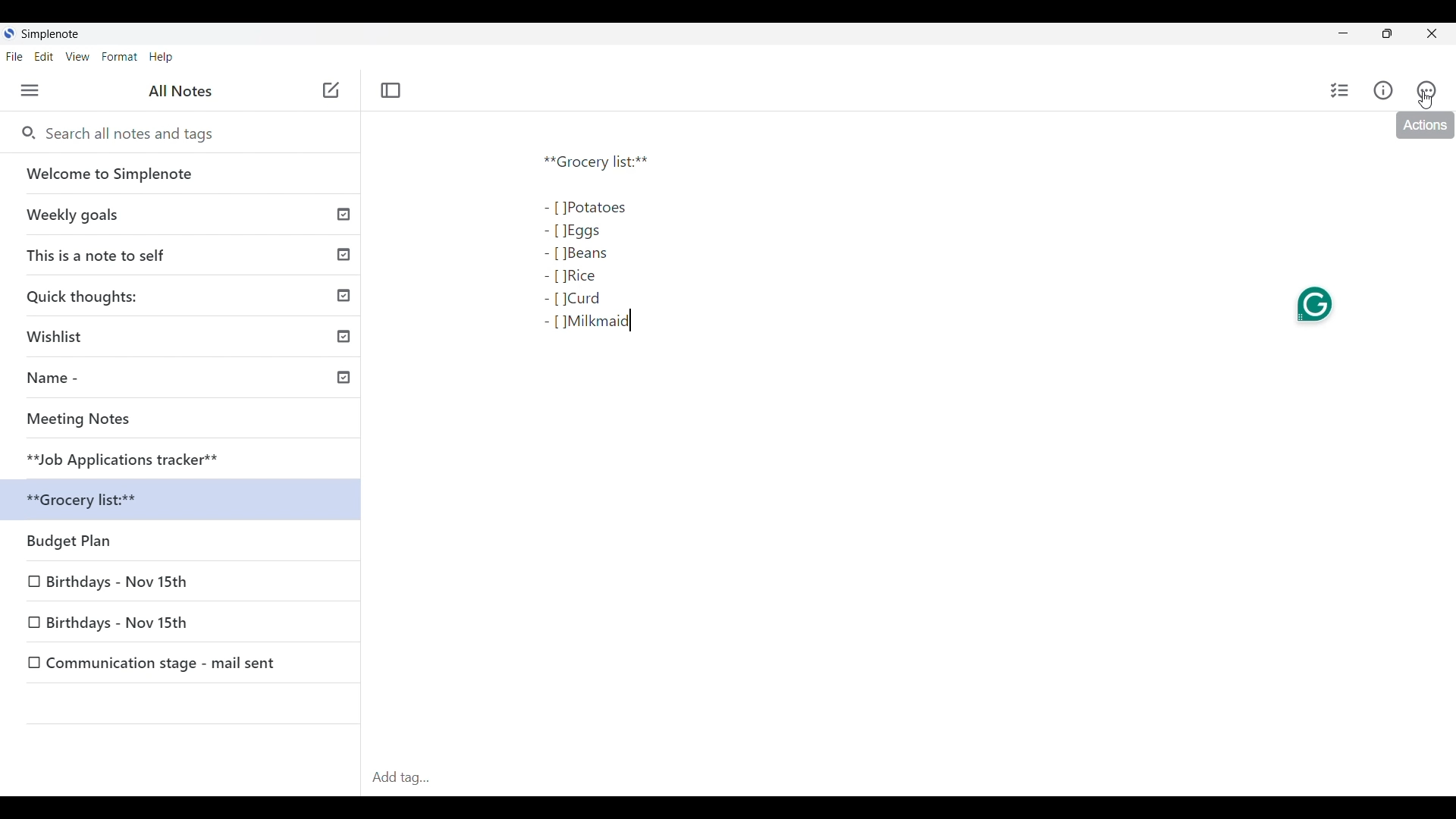 Image resolution: width=1456 pixels, height=819 pixels. I want to click on Actions, so click(1425, 125).